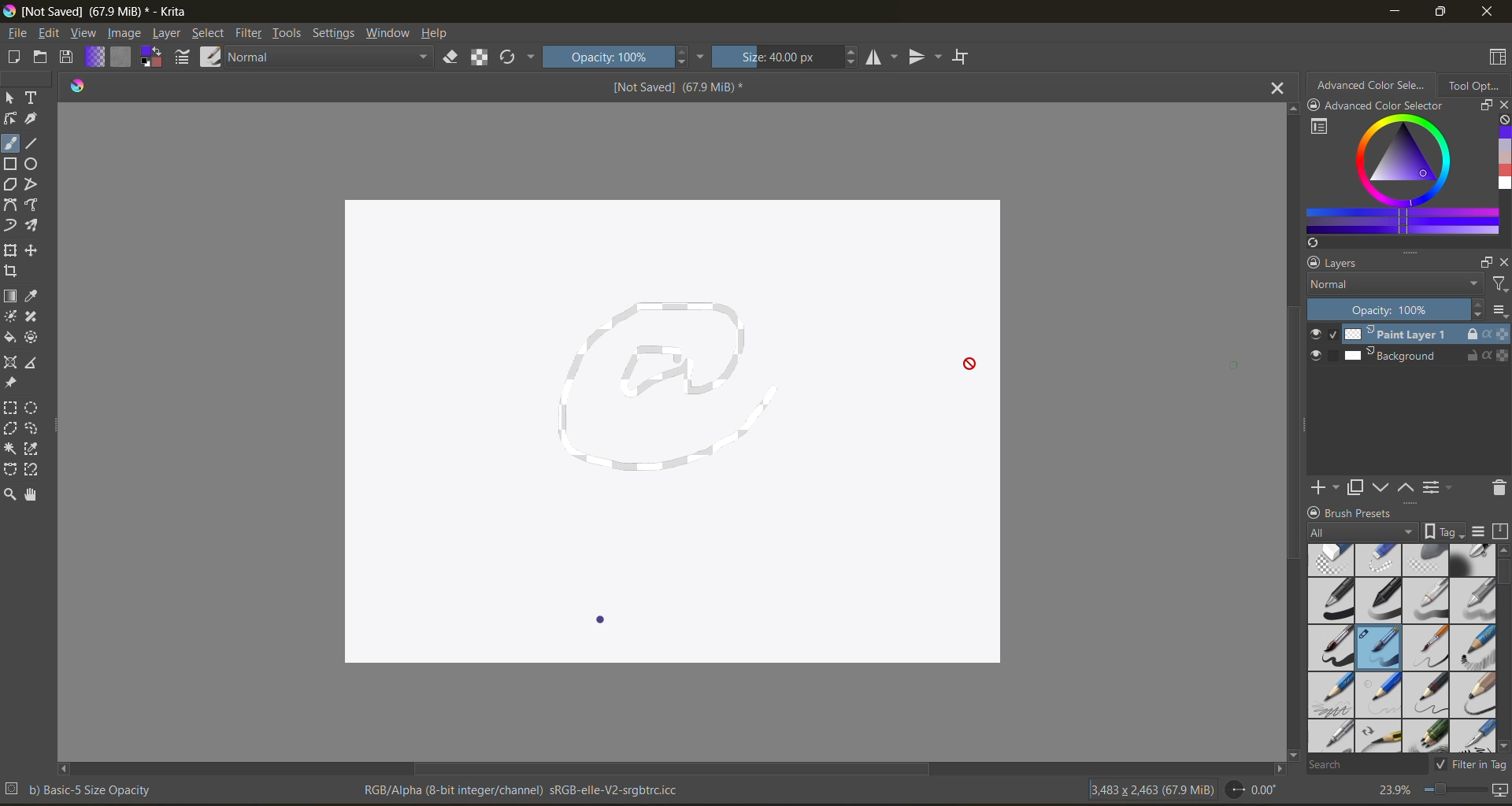  Describe the element at coordinates (109, 11) in the screenshot. I see `app name` at that location.